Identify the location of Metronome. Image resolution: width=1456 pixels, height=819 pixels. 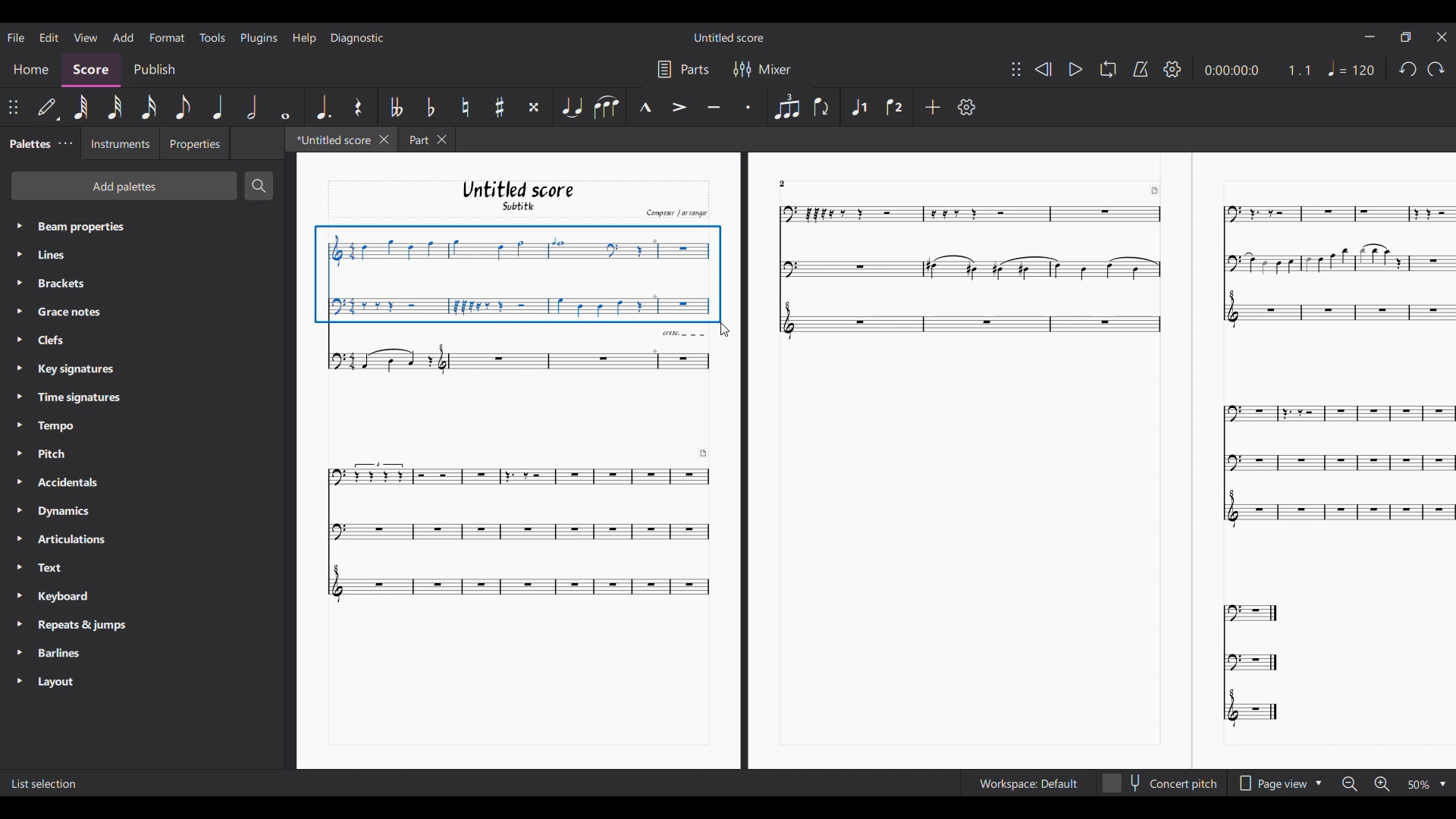
(1141, 69).